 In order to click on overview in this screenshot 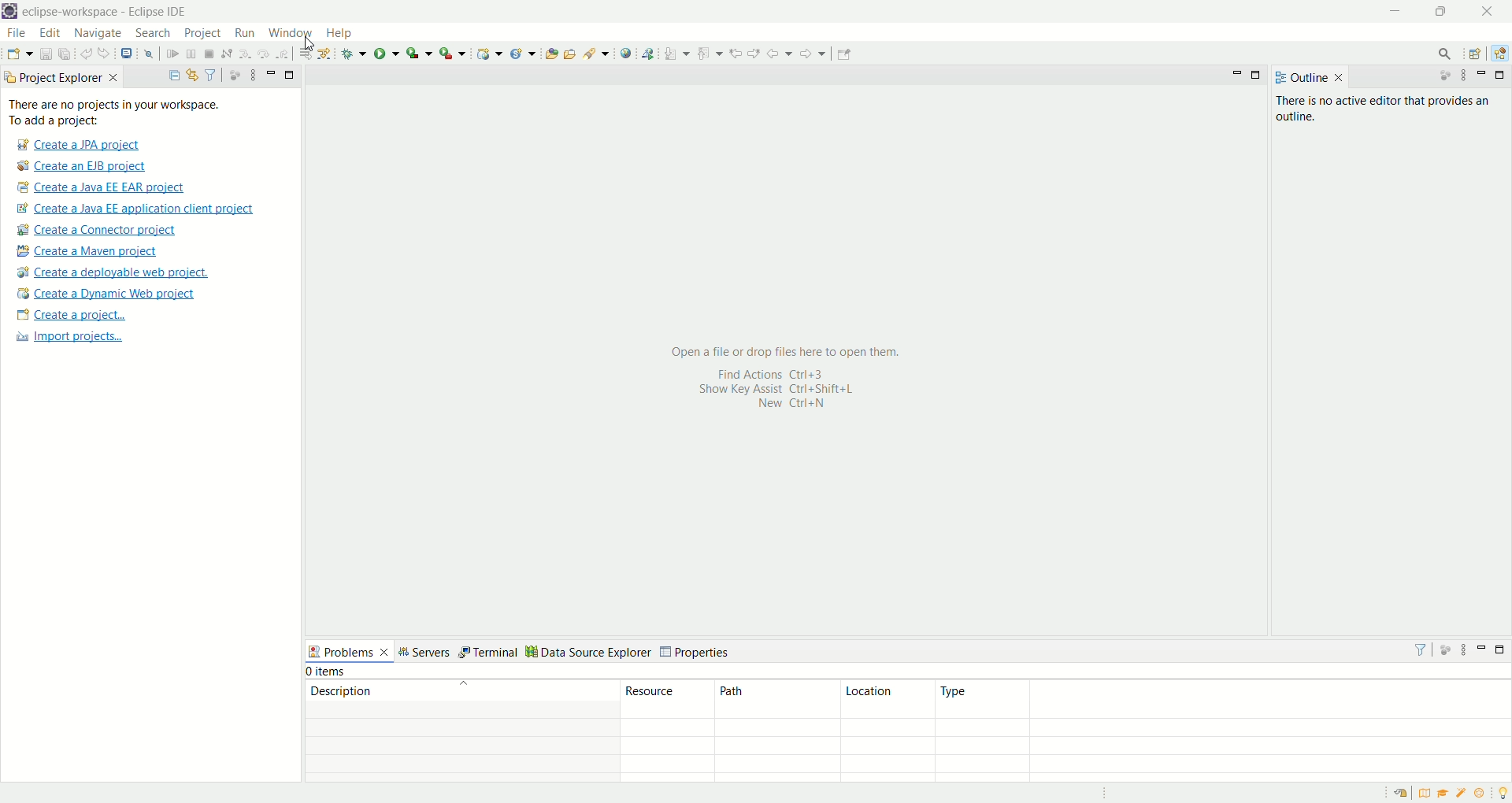, I will do `click(1422, 794)`.